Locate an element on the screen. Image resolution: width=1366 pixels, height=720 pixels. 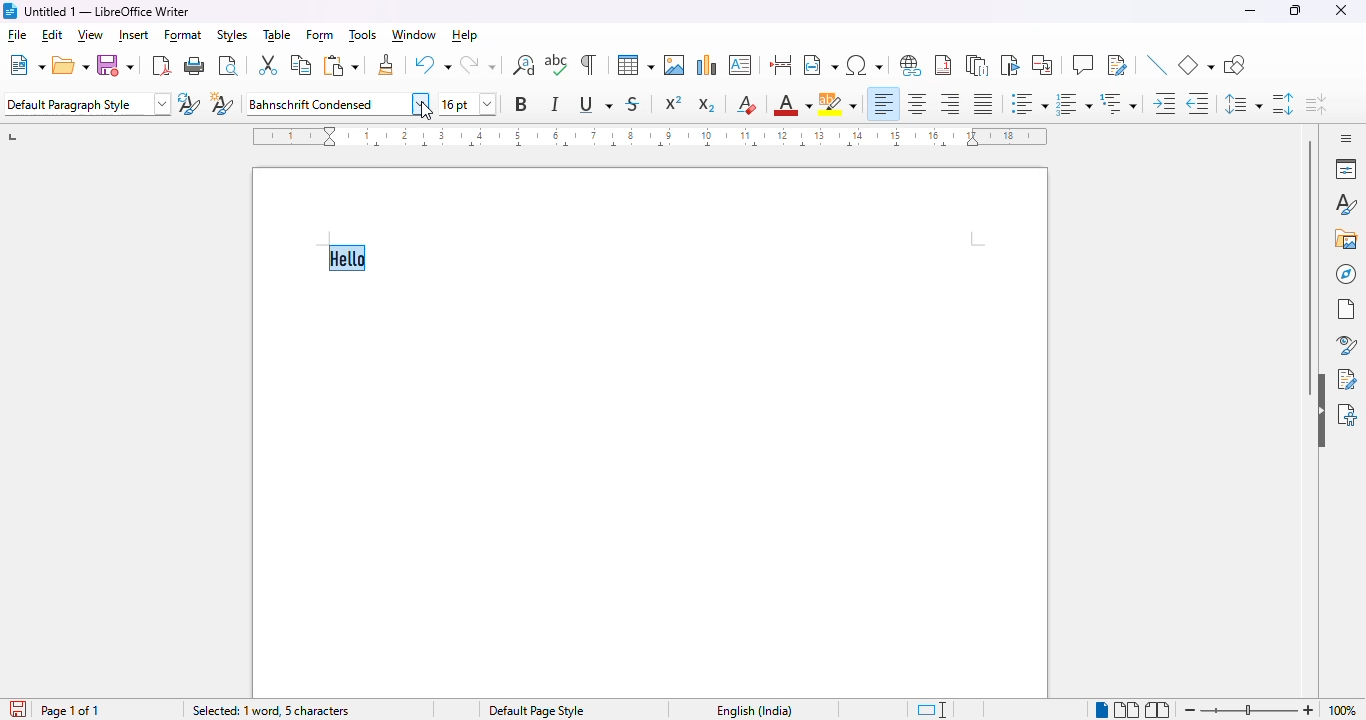
redo is located at coordinates (478, 65).